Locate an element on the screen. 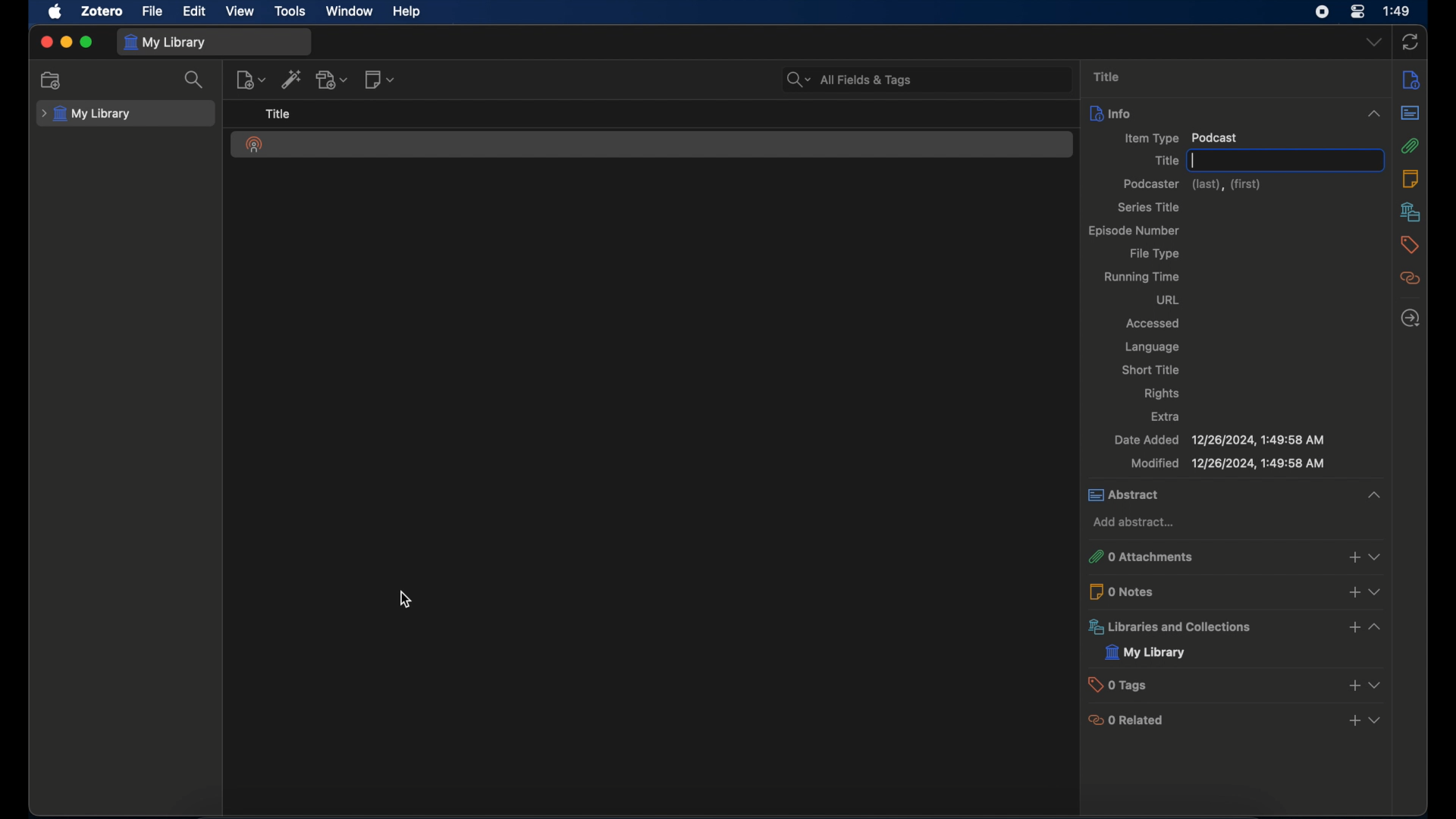  info is located at coordinates (1238, 112).